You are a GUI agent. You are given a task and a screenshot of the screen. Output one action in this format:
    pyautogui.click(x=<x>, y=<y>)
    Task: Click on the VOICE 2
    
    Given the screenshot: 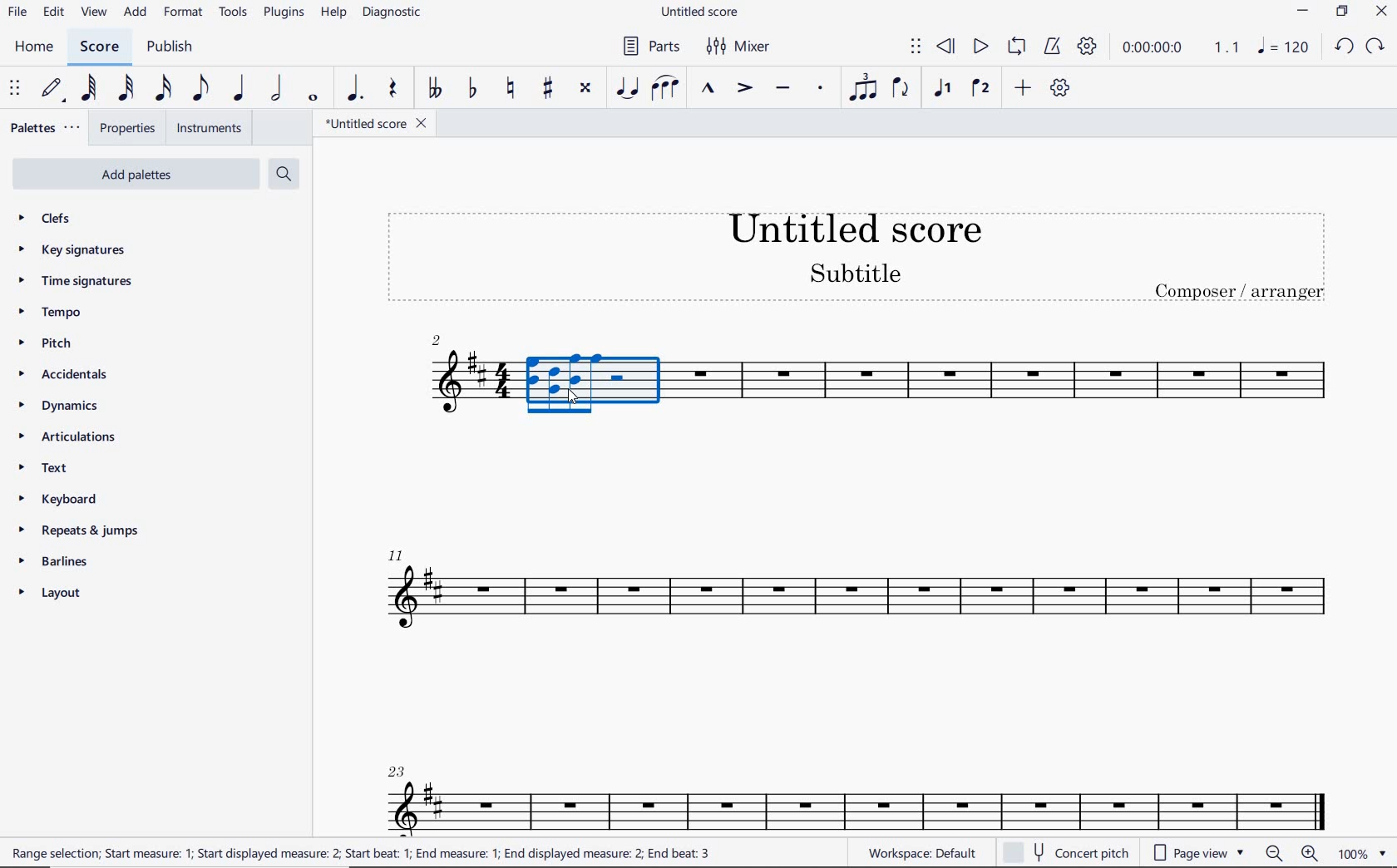 What is the action you would take?
    pyautogui.click(x=981, y=89)
    